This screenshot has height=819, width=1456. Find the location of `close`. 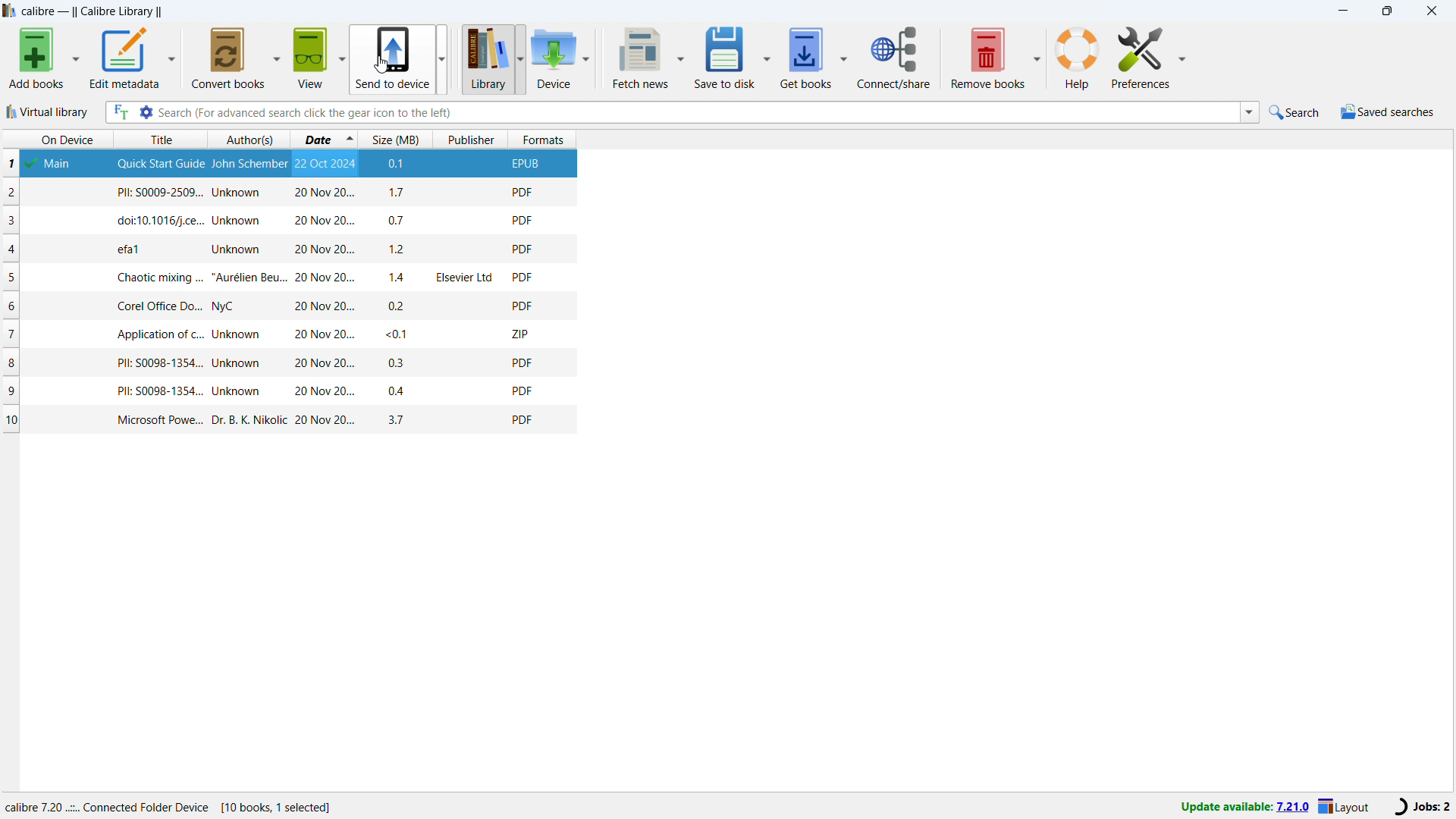

close is located at coordinates (1431, 11).